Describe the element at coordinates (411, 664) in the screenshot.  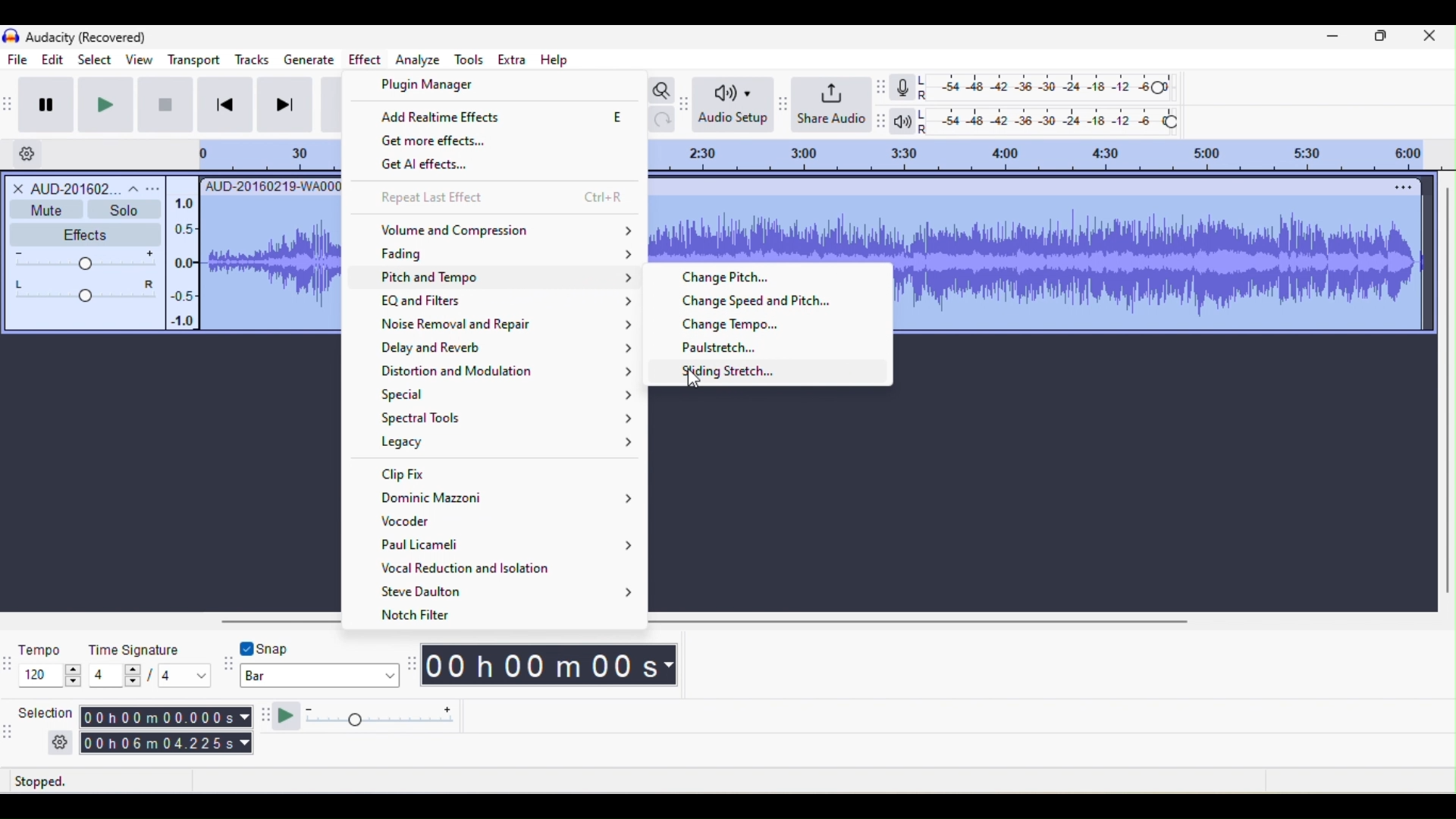
I see `audacity time toolbar` at that location.